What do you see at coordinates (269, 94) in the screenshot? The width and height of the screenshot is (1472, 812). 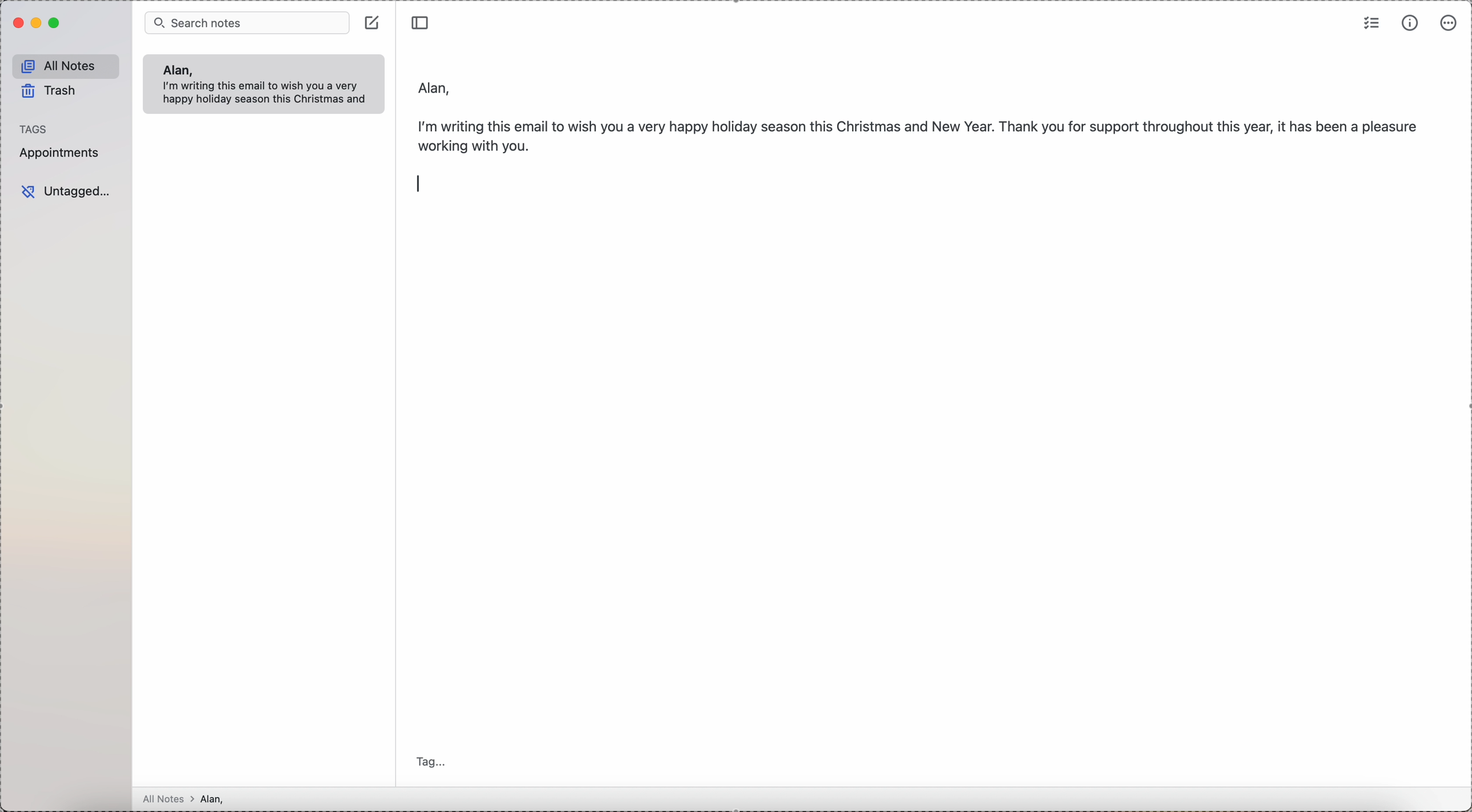 I see `body text: I'm writing this email to wish you a very happy holiday season this Christmas and` at bounding box center [269, 94].